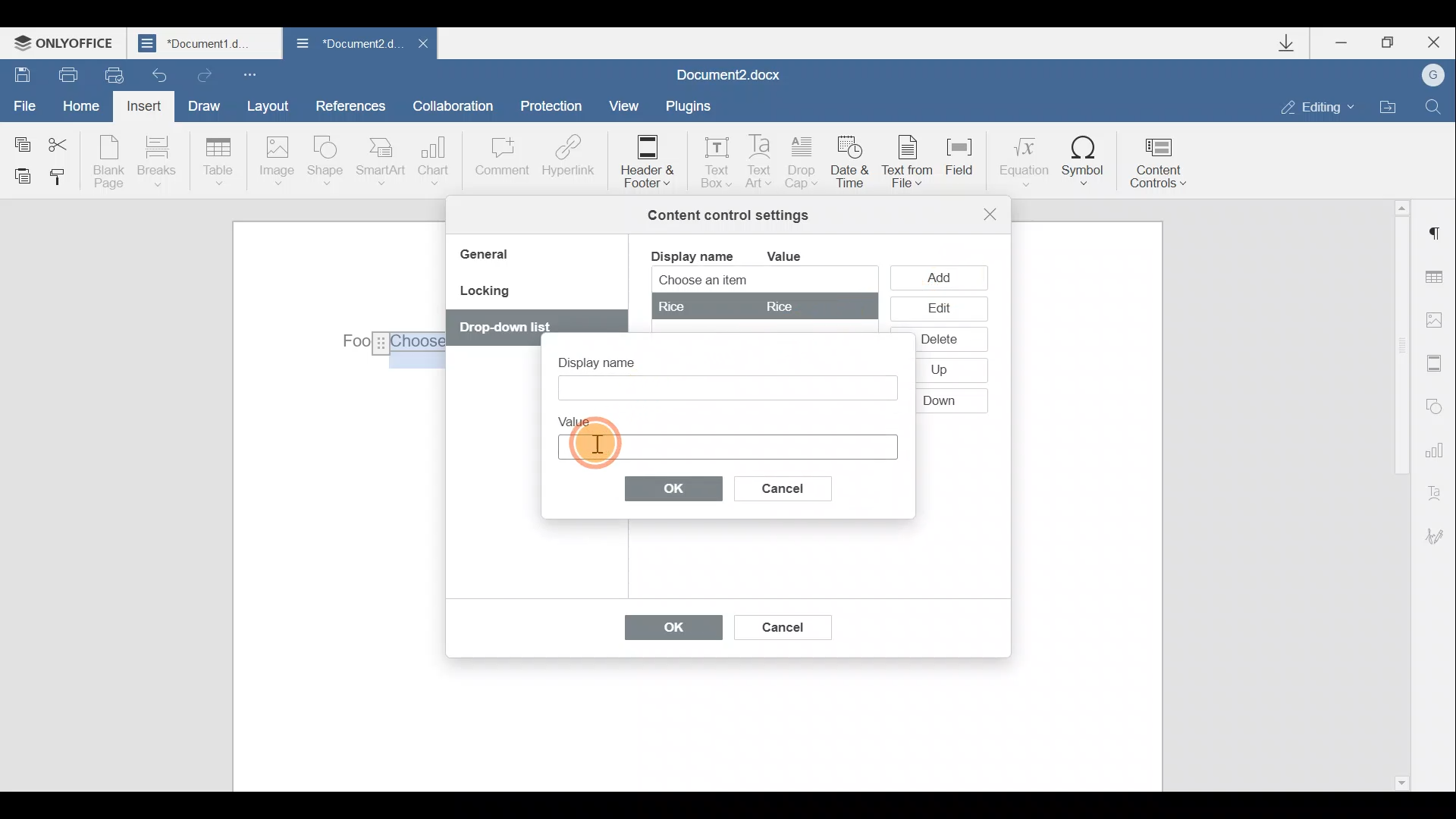 Image resolution: width=1456 pixels, height=819 pixels. I want to click on OK, so click(674, 488).